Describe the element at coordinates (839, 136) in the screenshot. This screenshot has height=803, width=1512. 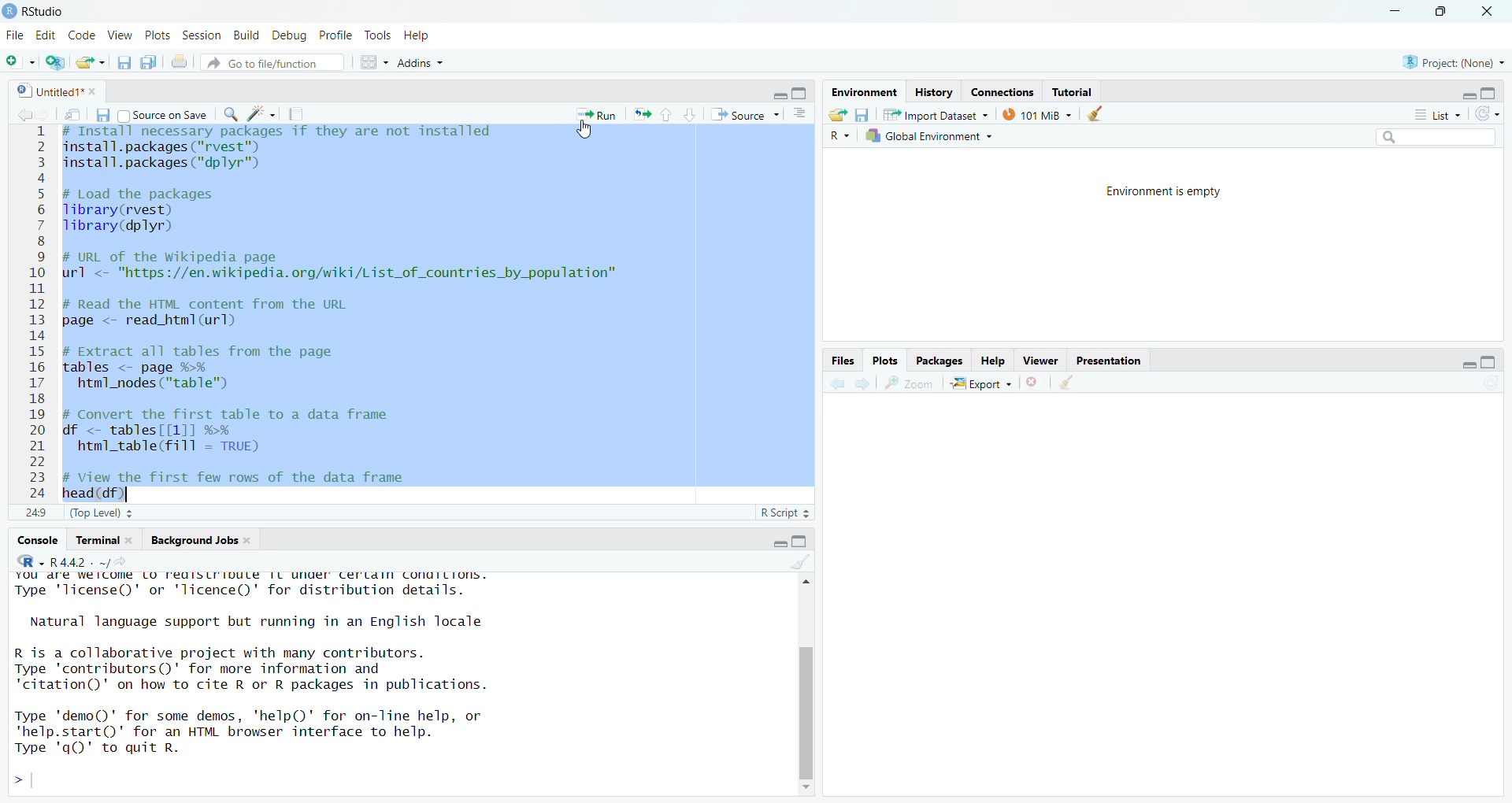
I see `R` at that location.